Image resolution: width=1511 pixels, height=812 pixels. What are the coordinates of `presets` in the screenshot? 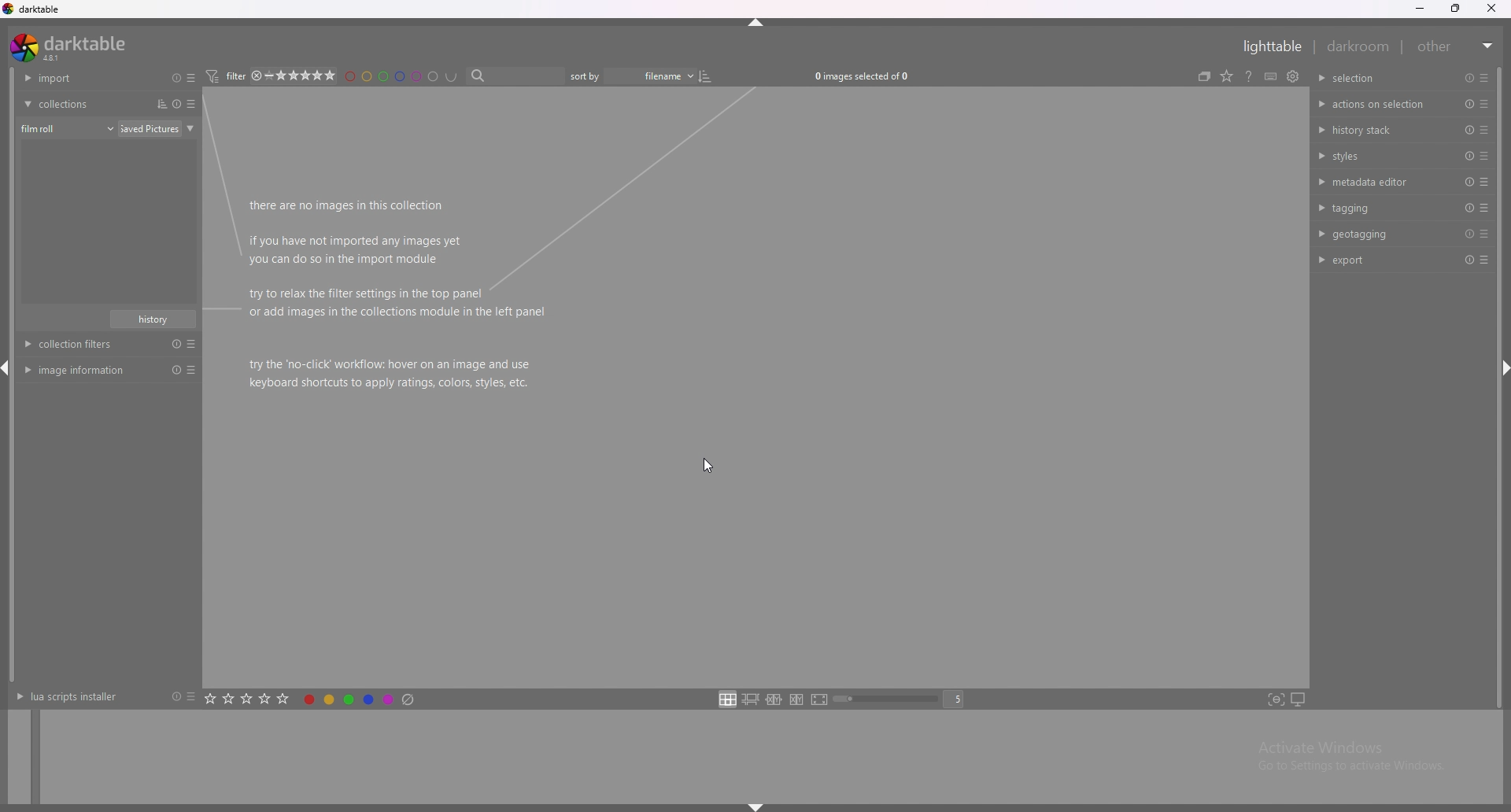 It's located at (1484, 155).